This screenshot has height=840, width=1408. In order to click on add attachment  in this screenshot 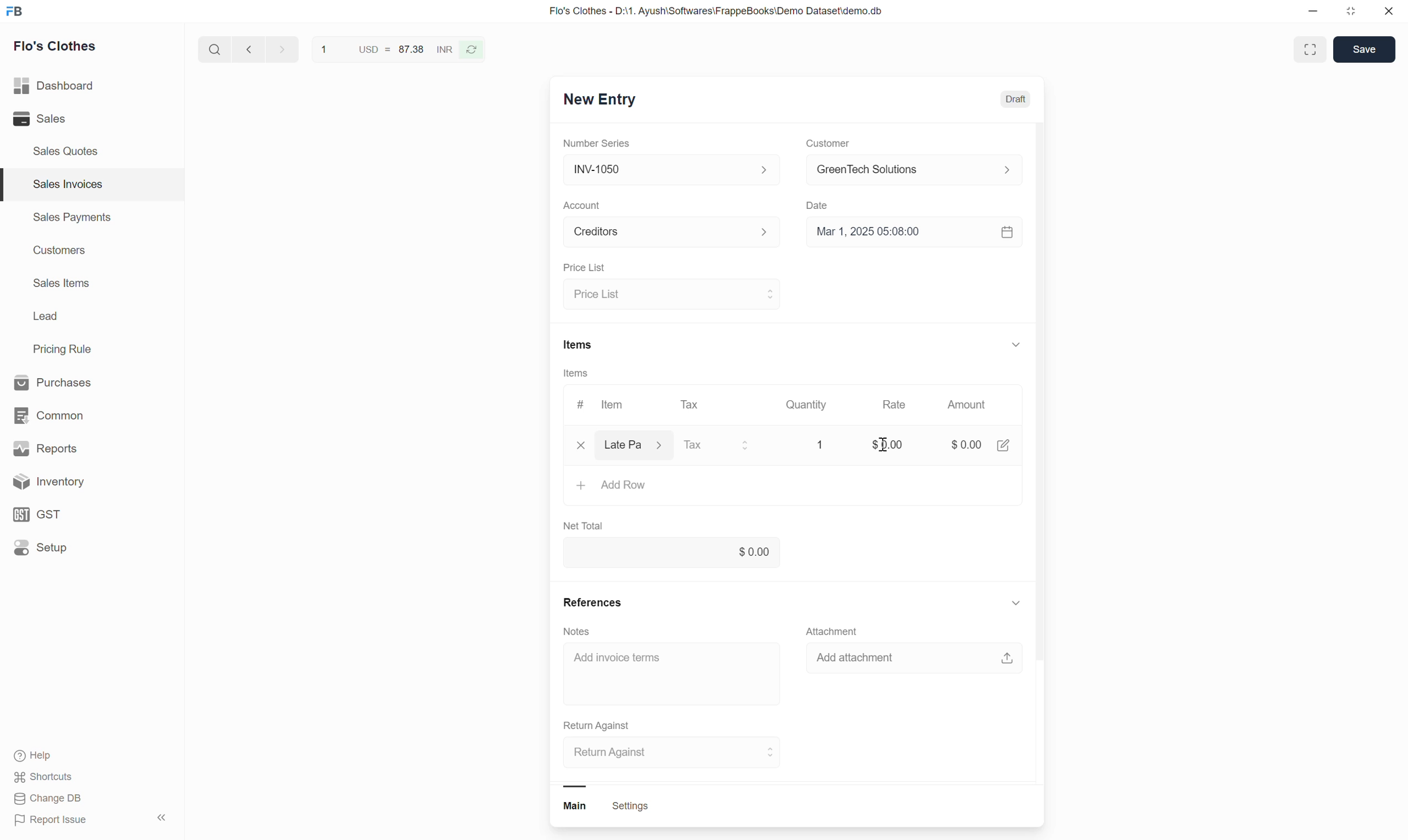, I will do `click(919, 660)`.